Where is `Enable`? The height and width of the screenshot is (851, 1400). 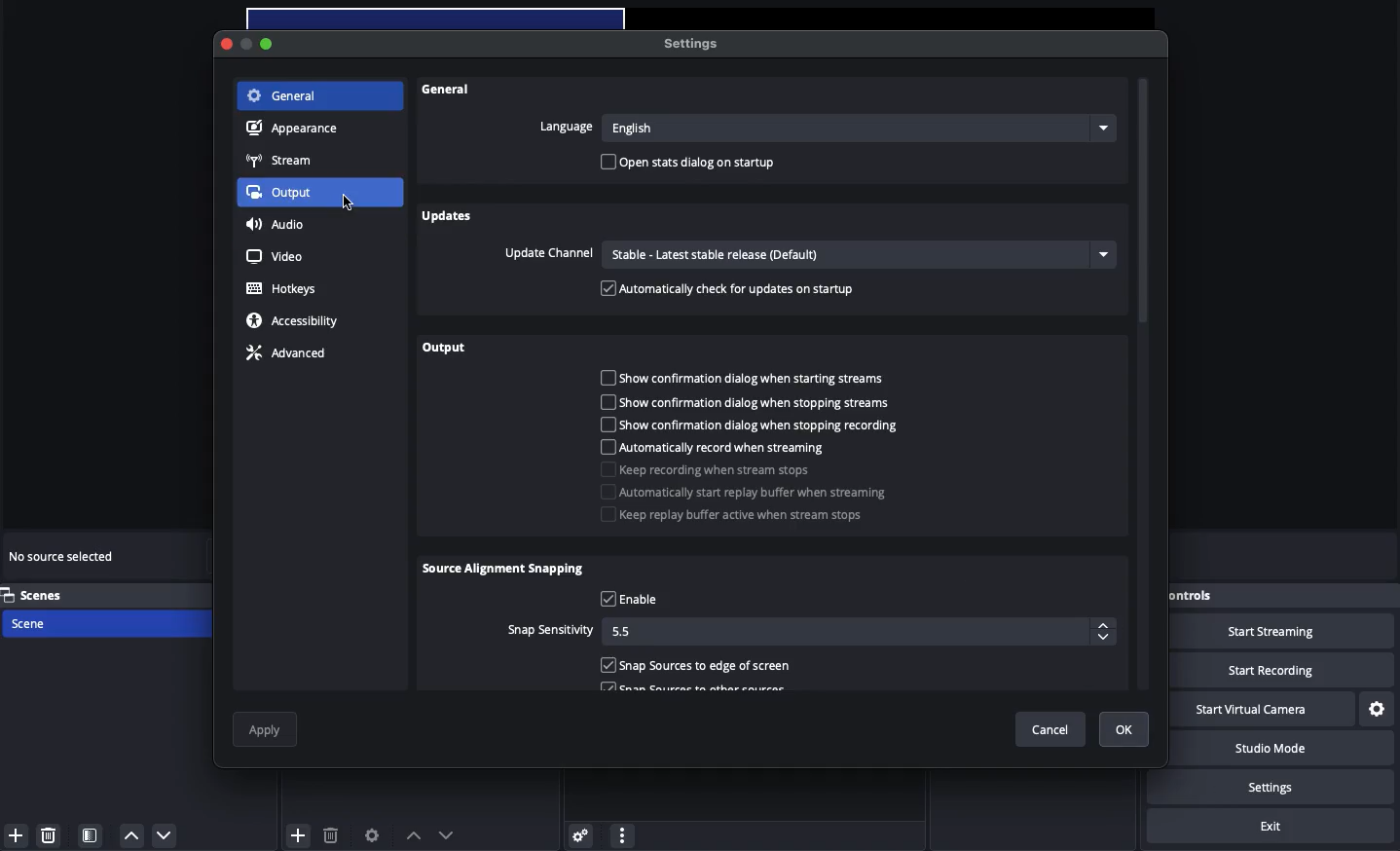
Enable is located at coordinates (635, 599).